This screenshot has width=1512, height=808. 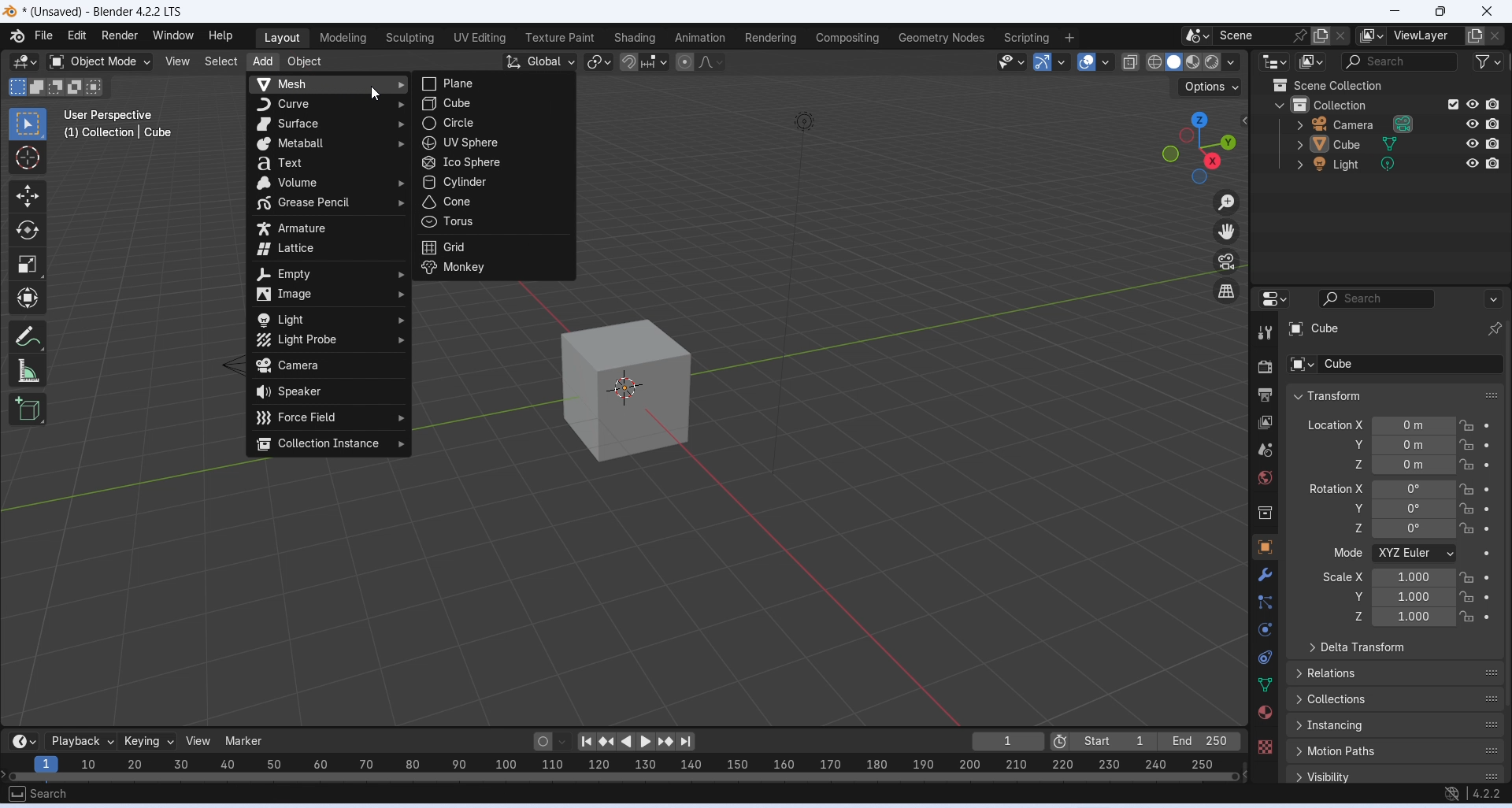 I want to click on Maximize, so click(x=1439, y=11).